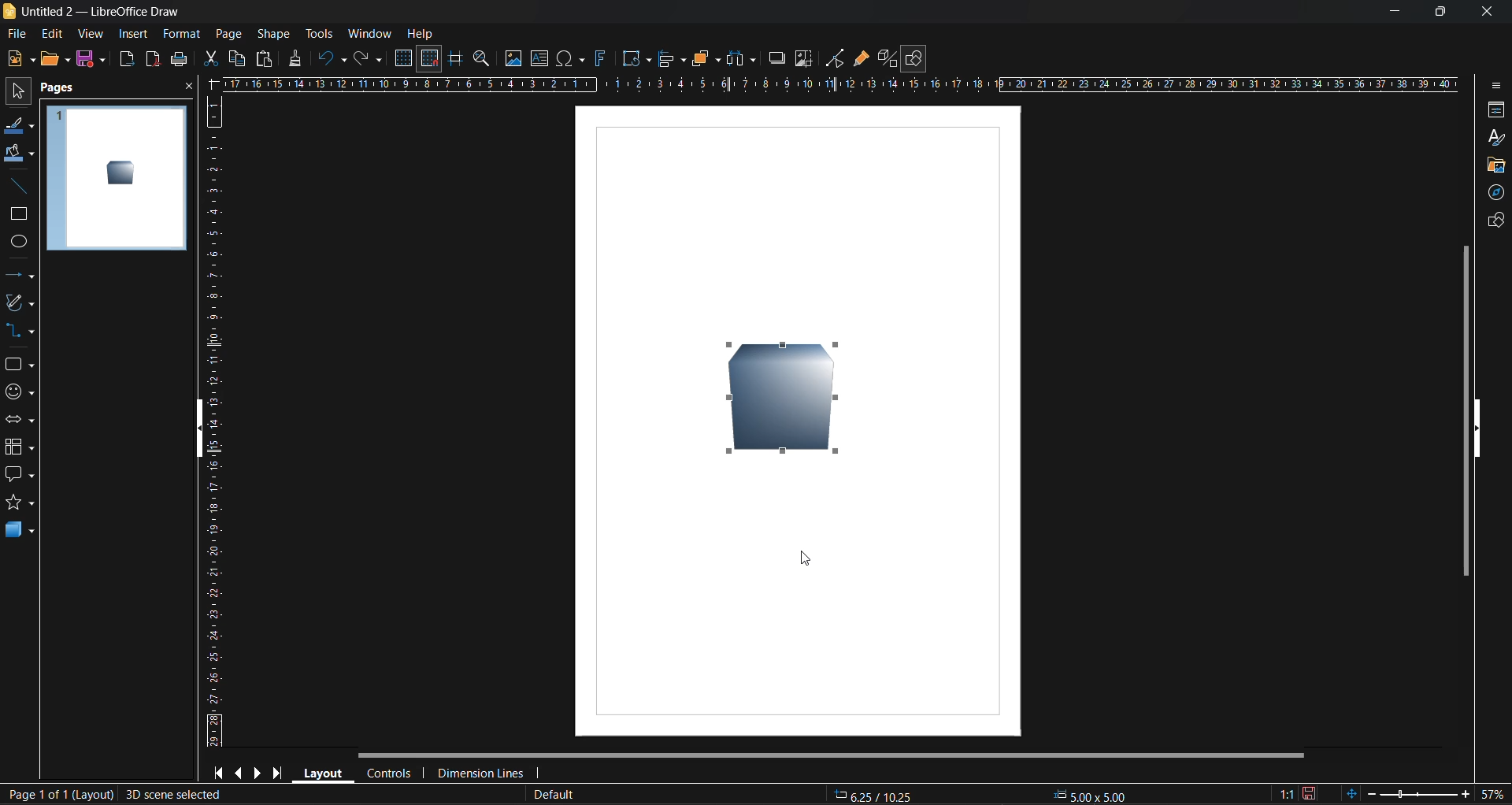  Describe the element at coordinates (484, 61) in the screenshot. I see `zoom` at that location.